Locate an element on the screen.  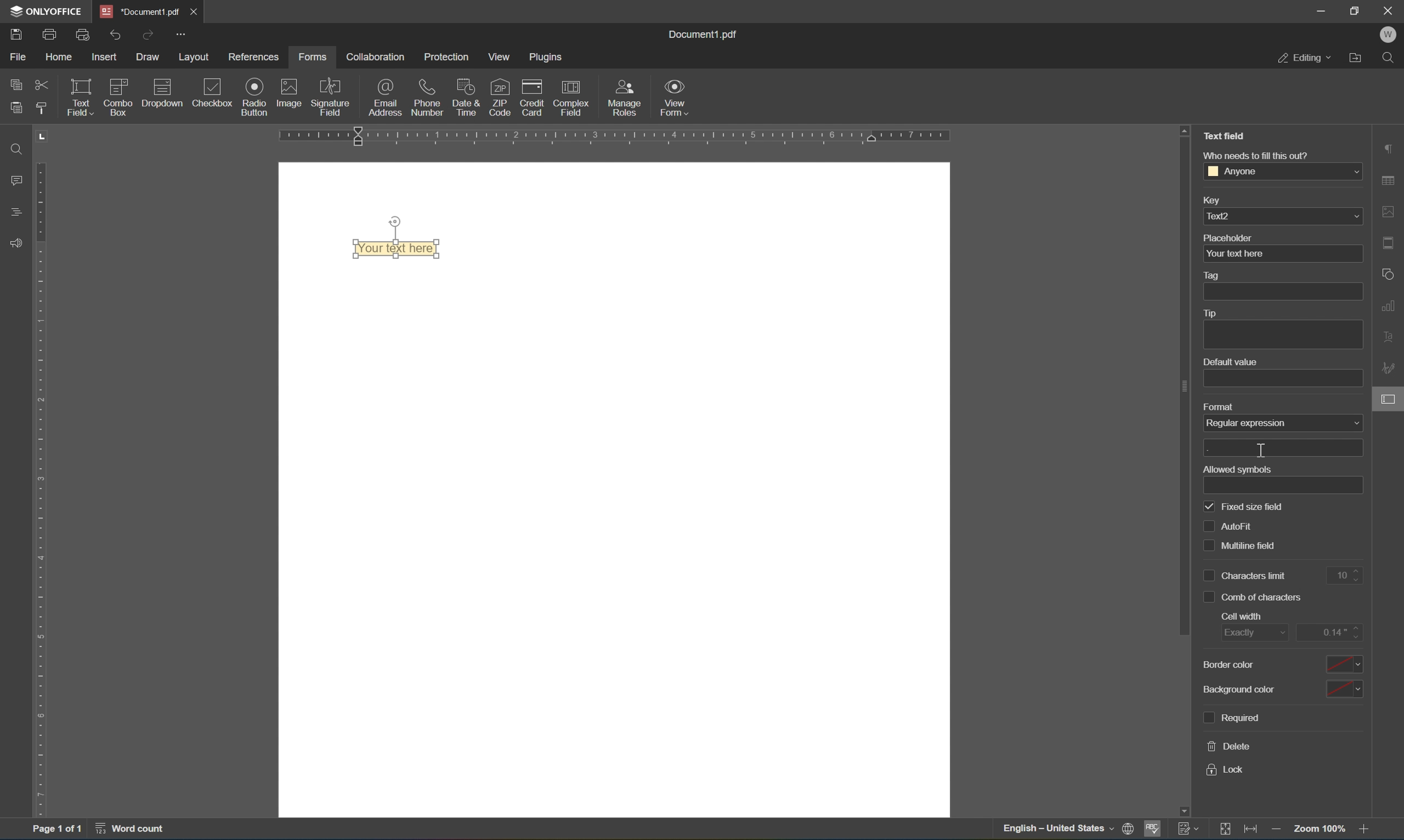
zoom in is located at coordinates (1364, 829).